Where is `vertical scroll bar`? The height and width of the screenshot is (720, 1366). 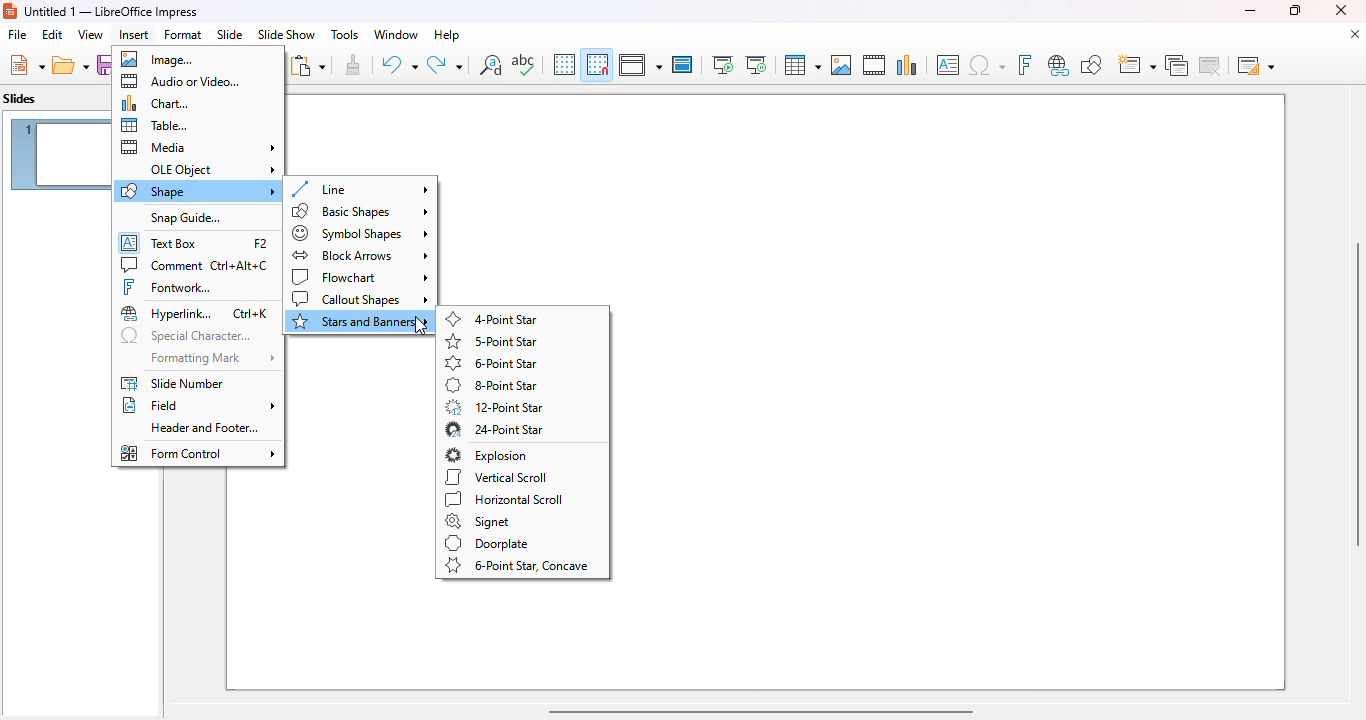 vertical scroll bar is located at coordinates (1354, 394).